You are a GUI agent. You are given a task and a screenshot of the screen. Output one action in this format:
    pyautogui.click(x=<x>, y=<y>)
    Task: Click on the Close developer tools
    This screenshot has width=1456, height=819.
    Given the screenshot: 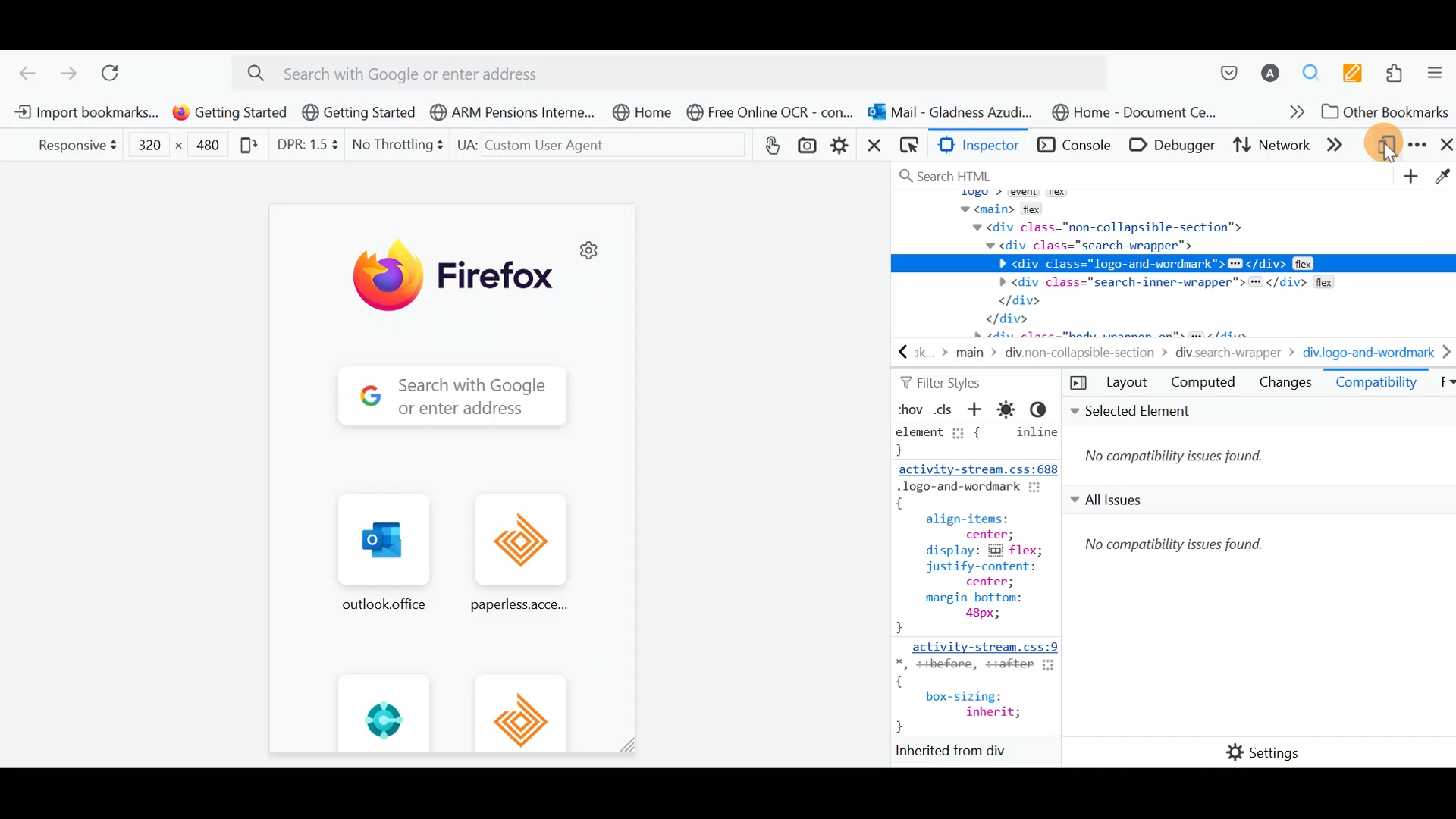 What is the action you would take?
    pyautogui.click(x=1443, y=146)
    